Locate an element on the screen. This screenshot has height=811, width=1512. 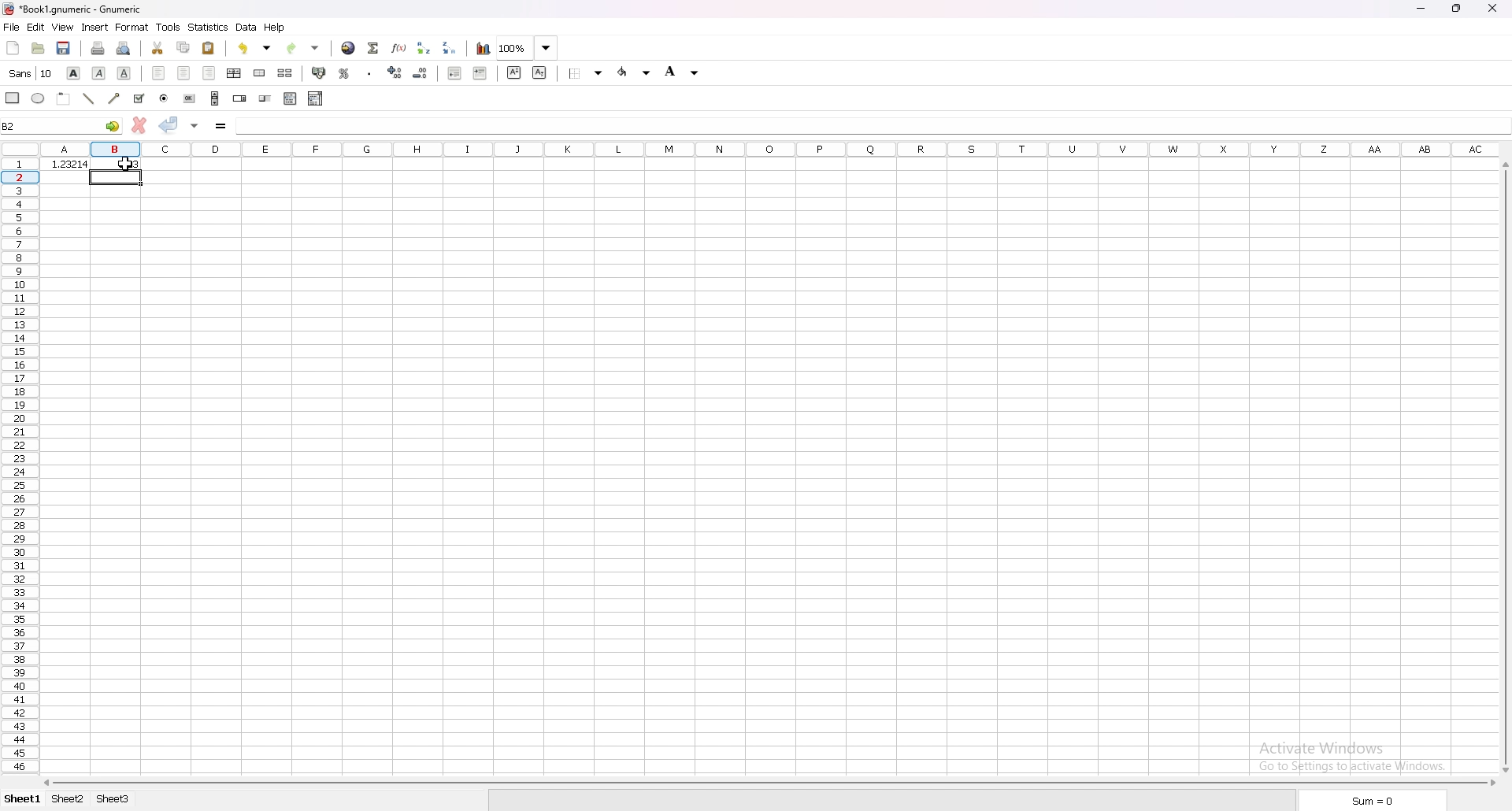
redo is located at coordinates (306, 48).